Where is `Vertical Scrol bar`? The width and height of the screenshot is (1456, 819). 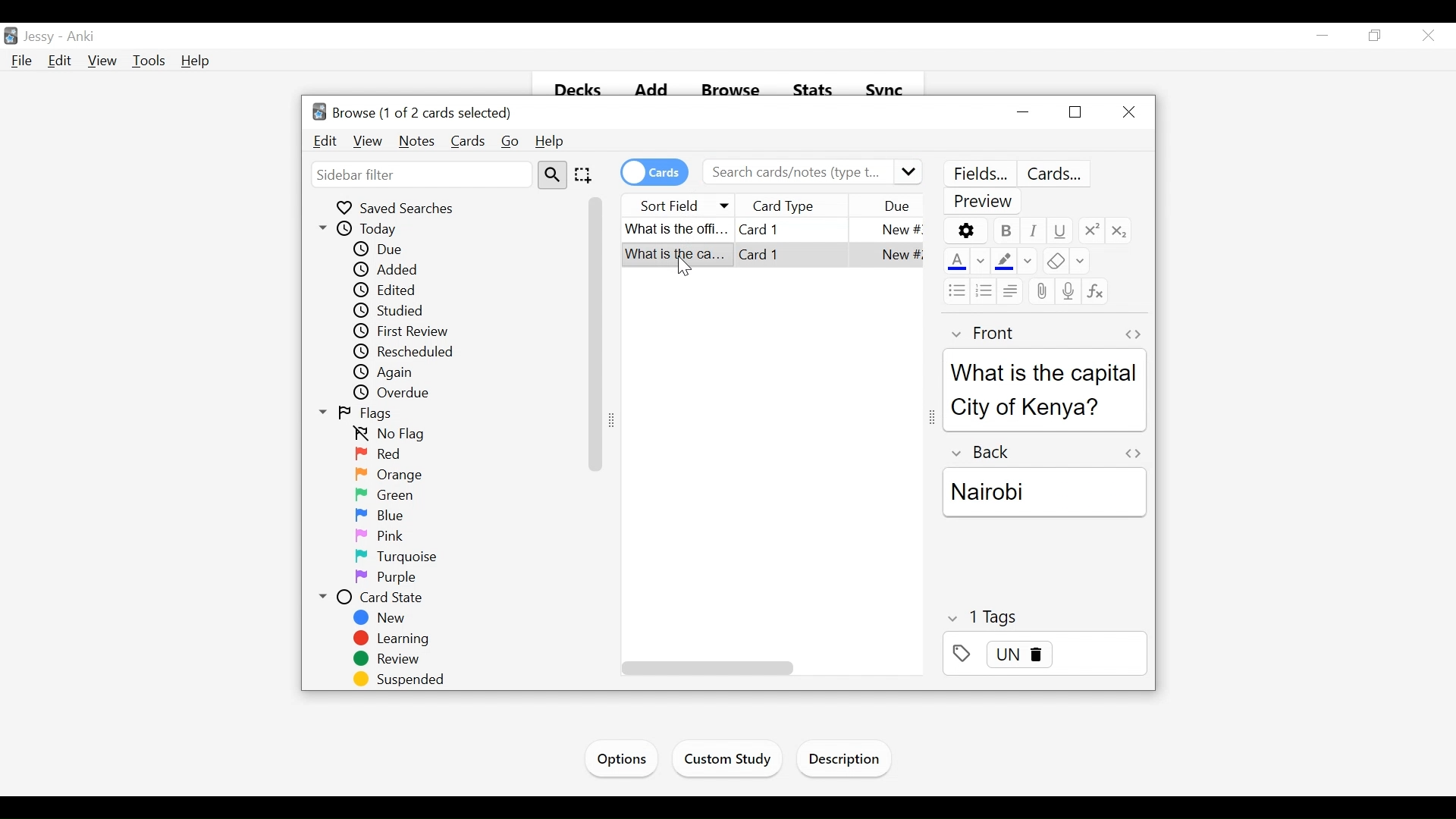
Vertical Scrol bar is located at coordinates (596, 333).